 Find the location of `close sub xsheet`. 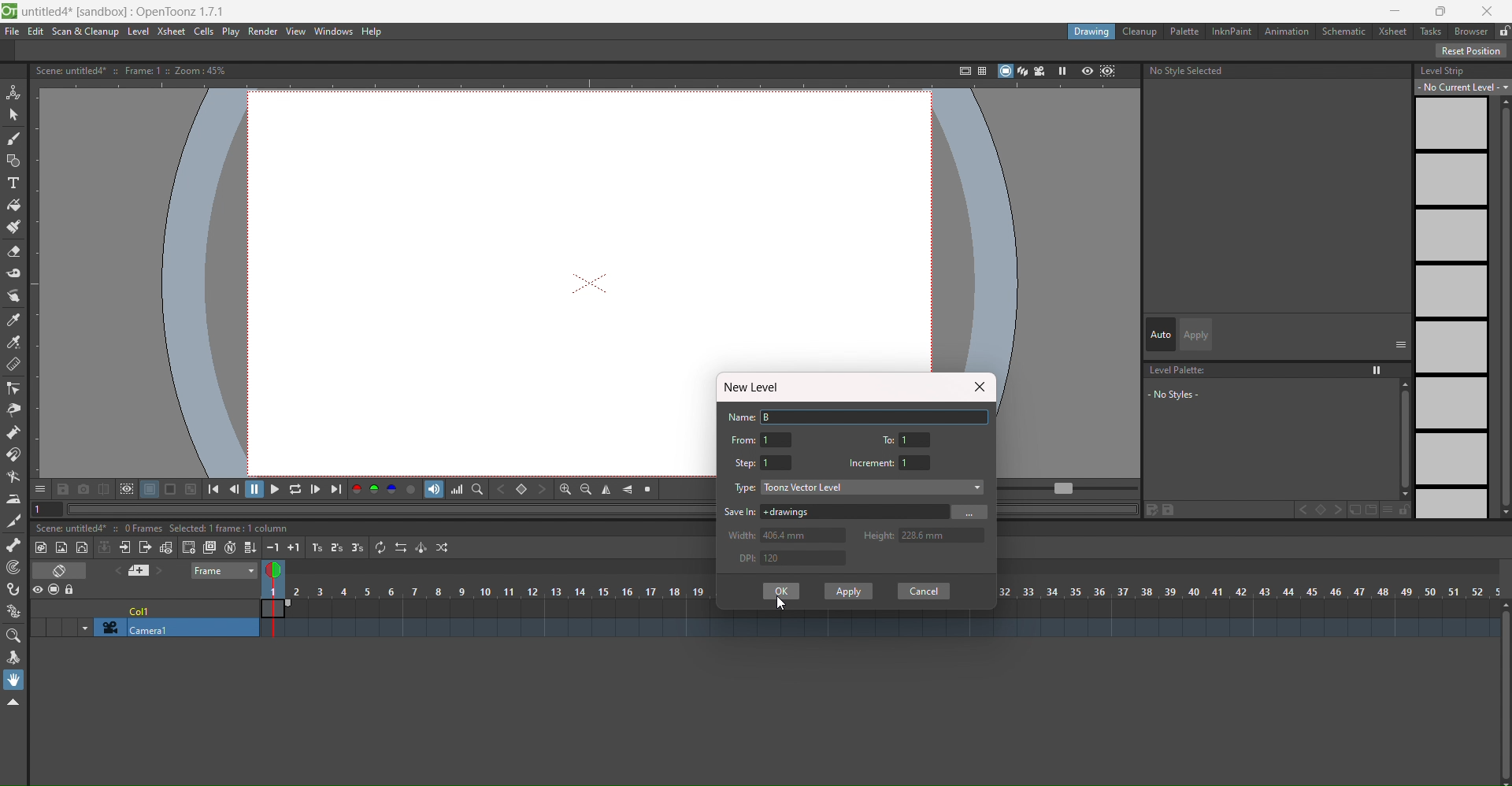

close sub xsheet is located at coordinates (145, 547).